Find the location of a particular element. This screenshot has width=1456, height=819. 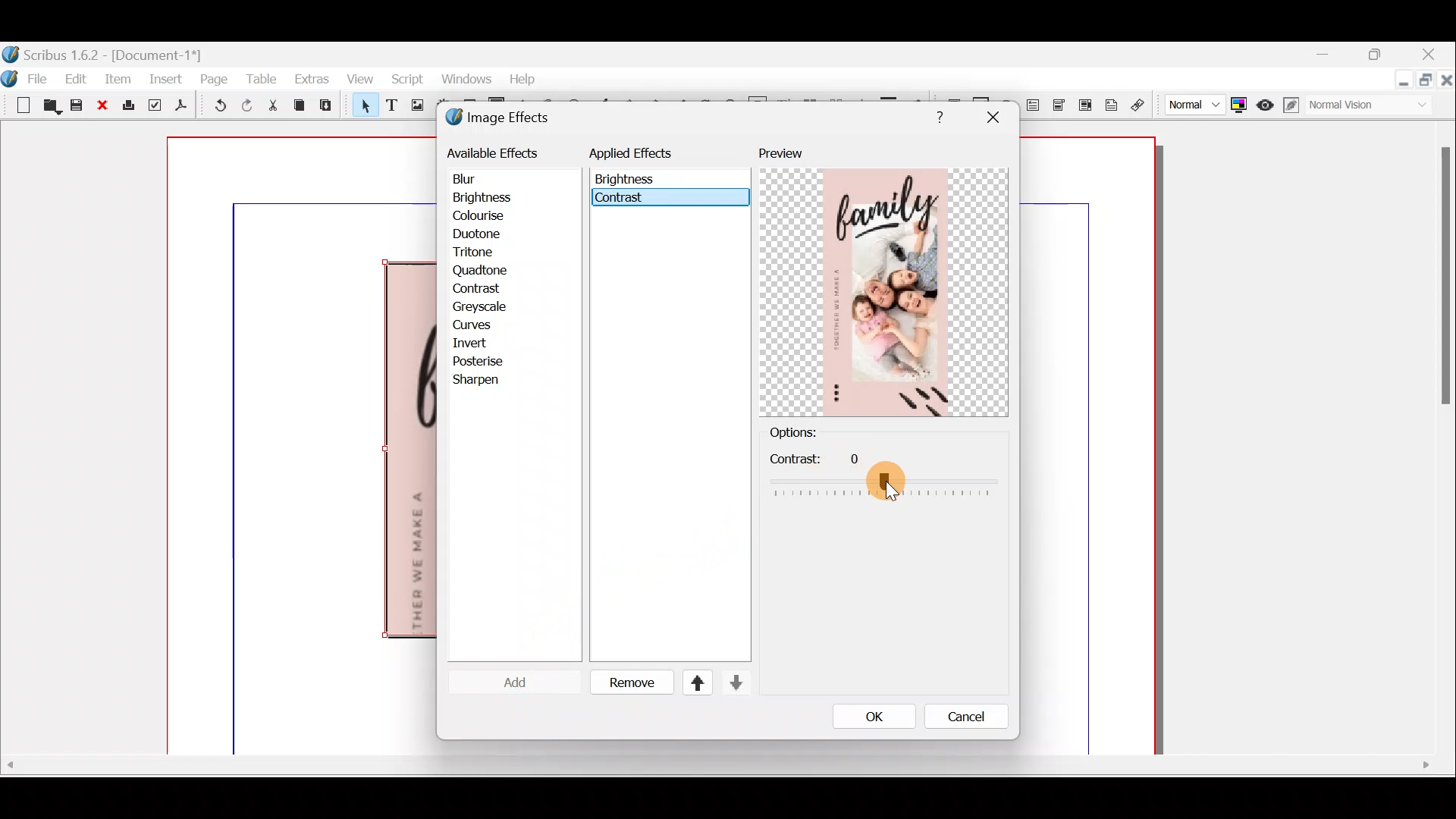

Applied effects is located at coordinates (643, 157).